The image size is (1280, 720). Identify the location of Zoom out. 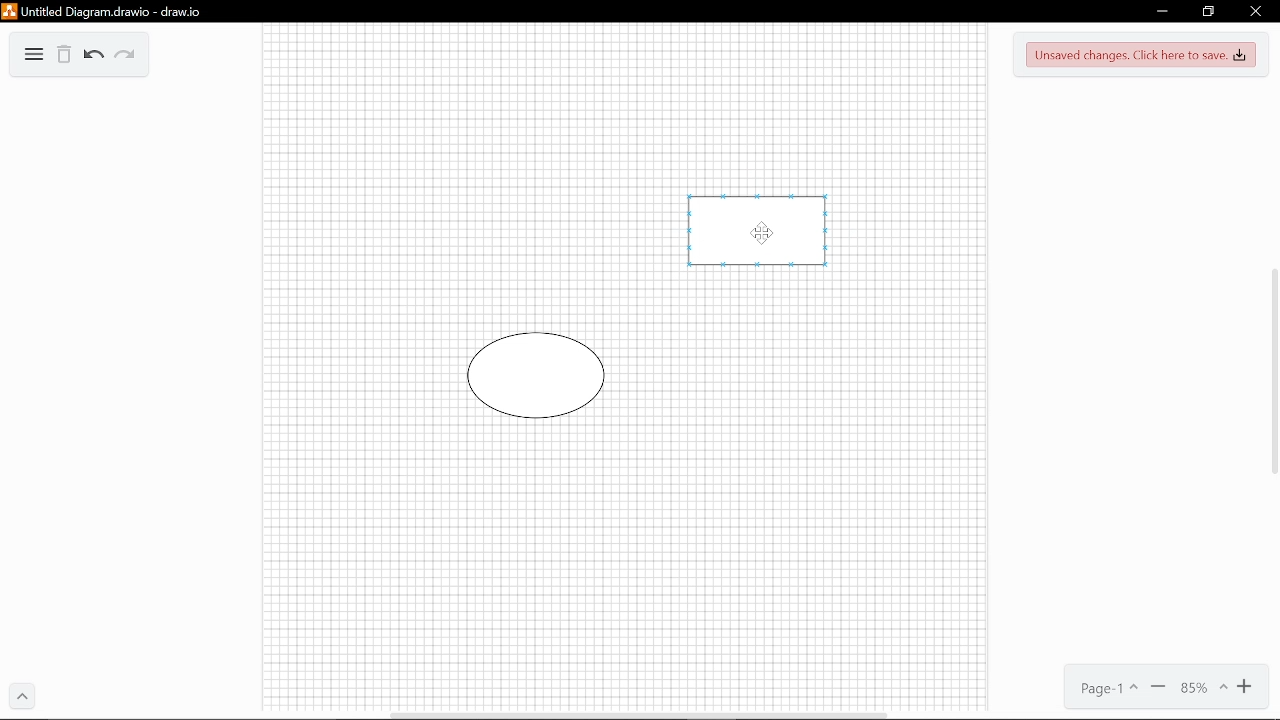
(1158, 689).